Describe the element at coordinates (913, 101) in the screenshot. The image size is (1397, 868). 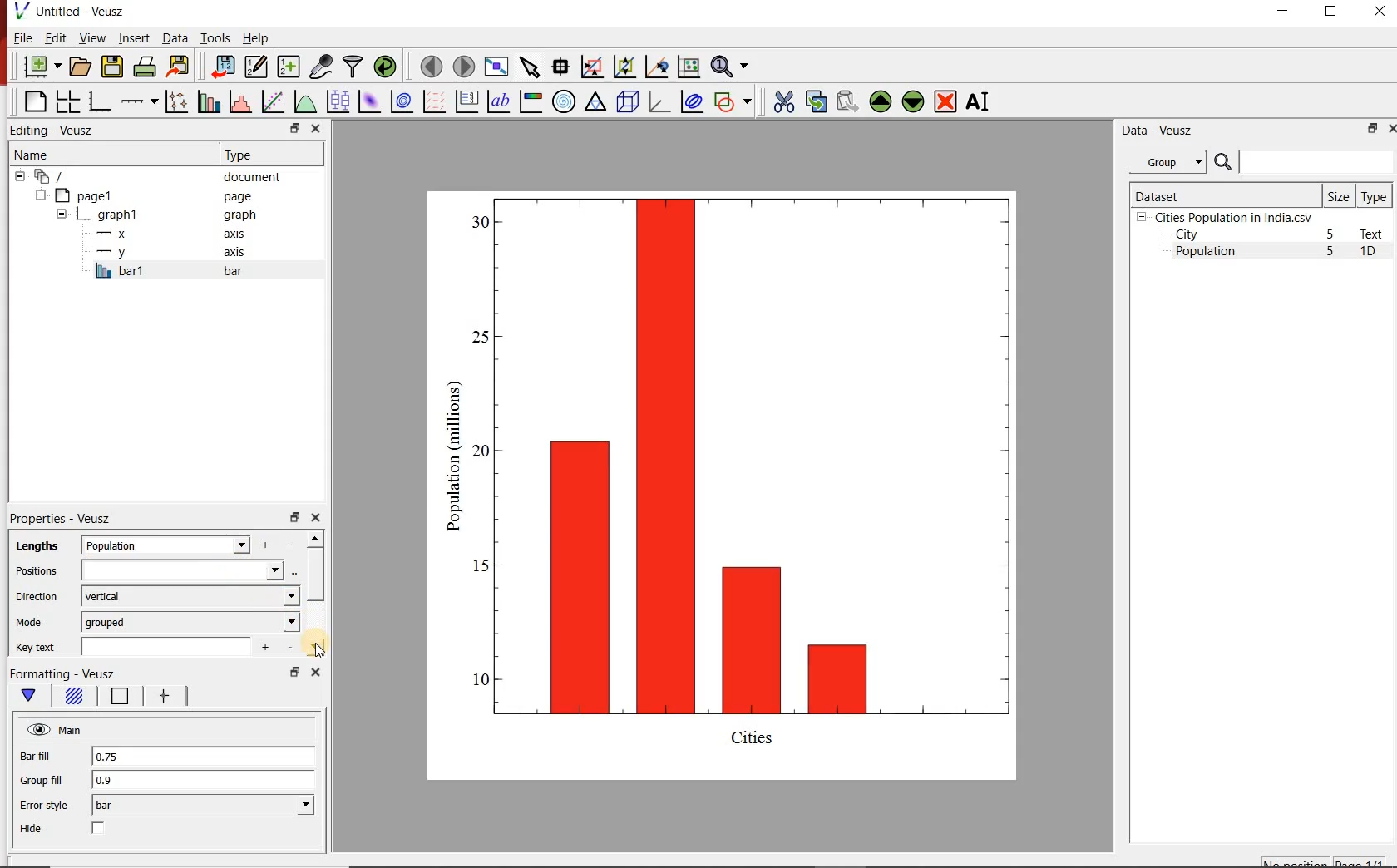
I see `move the selected widget down` at that location.